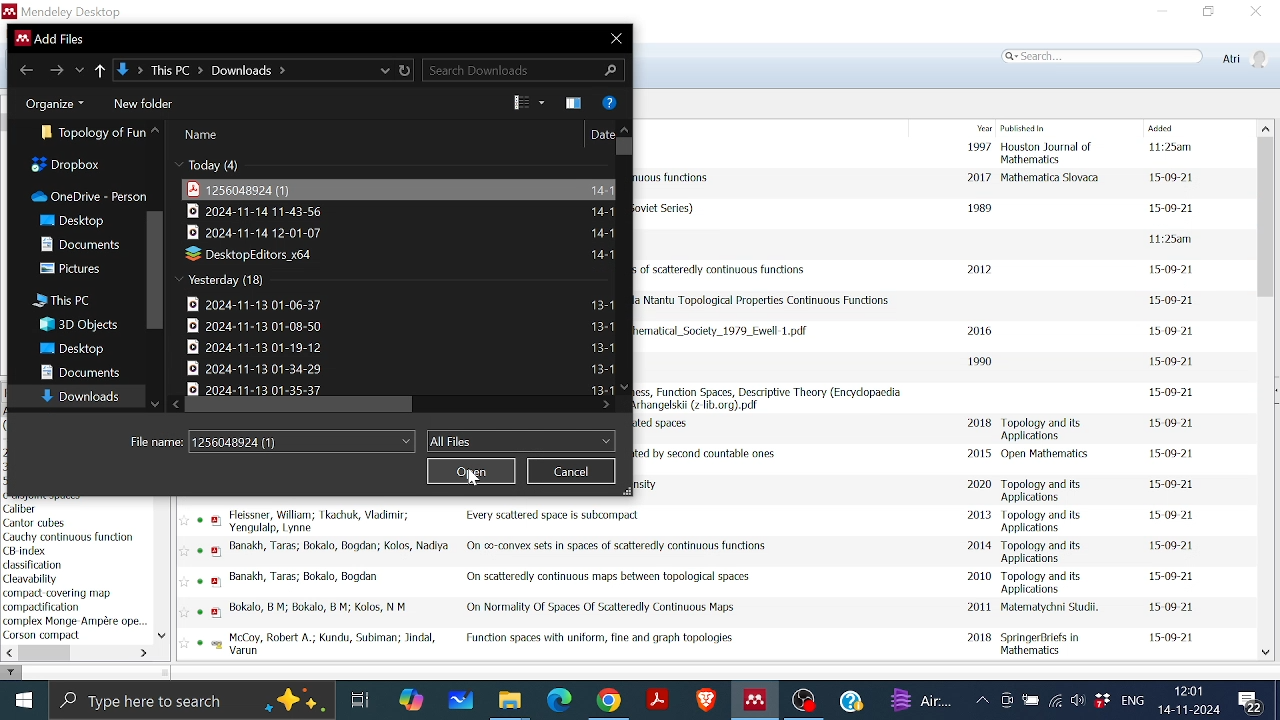 The image size is (1280, 720). Describe the element at coordinates (144, 103) in the screenshot. I see `New folder` at that location.